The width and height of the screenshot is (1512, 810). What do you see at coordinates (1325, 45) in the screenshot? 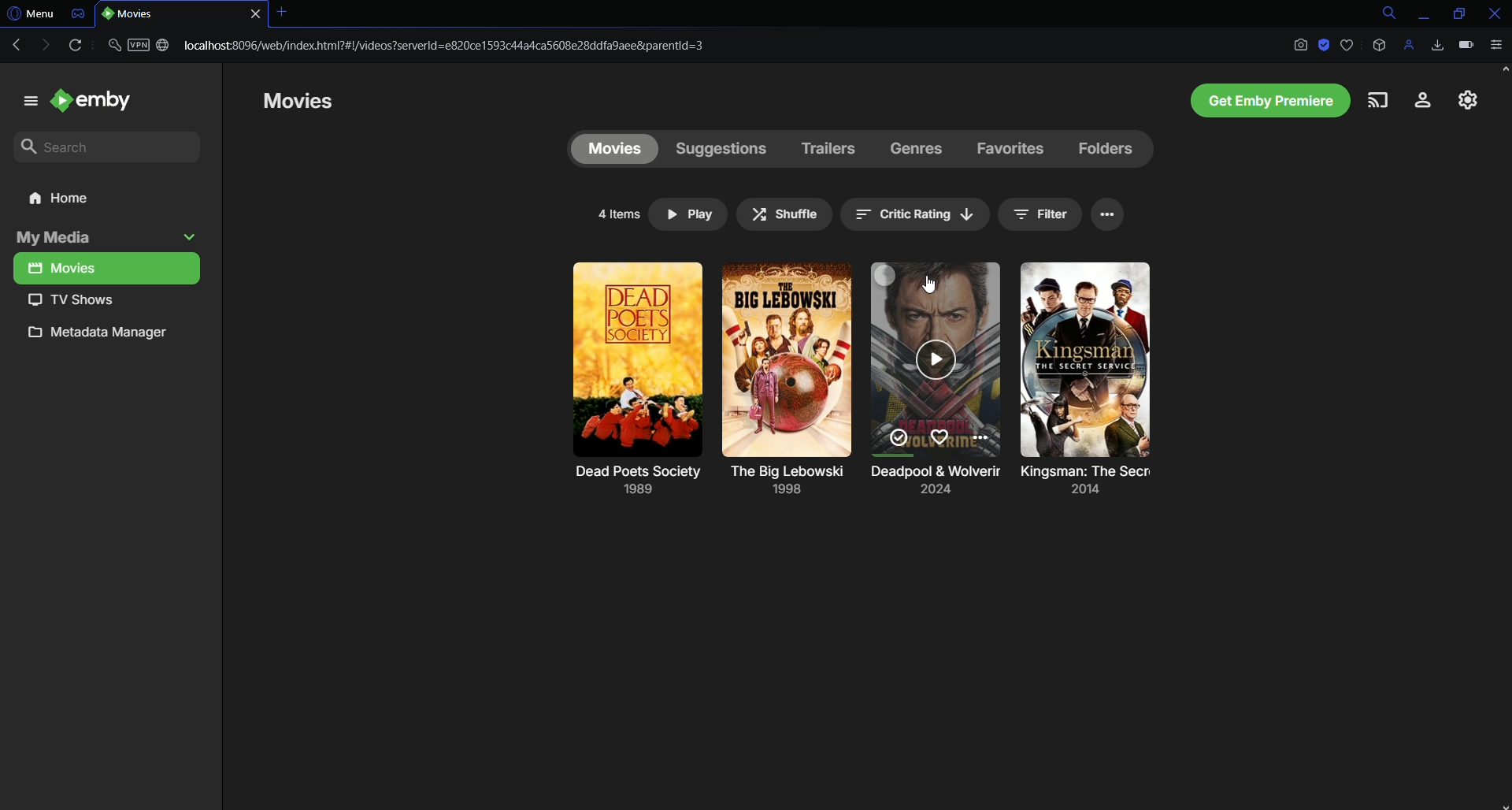
I see `Adblock` at bounding box center [1325, 45].